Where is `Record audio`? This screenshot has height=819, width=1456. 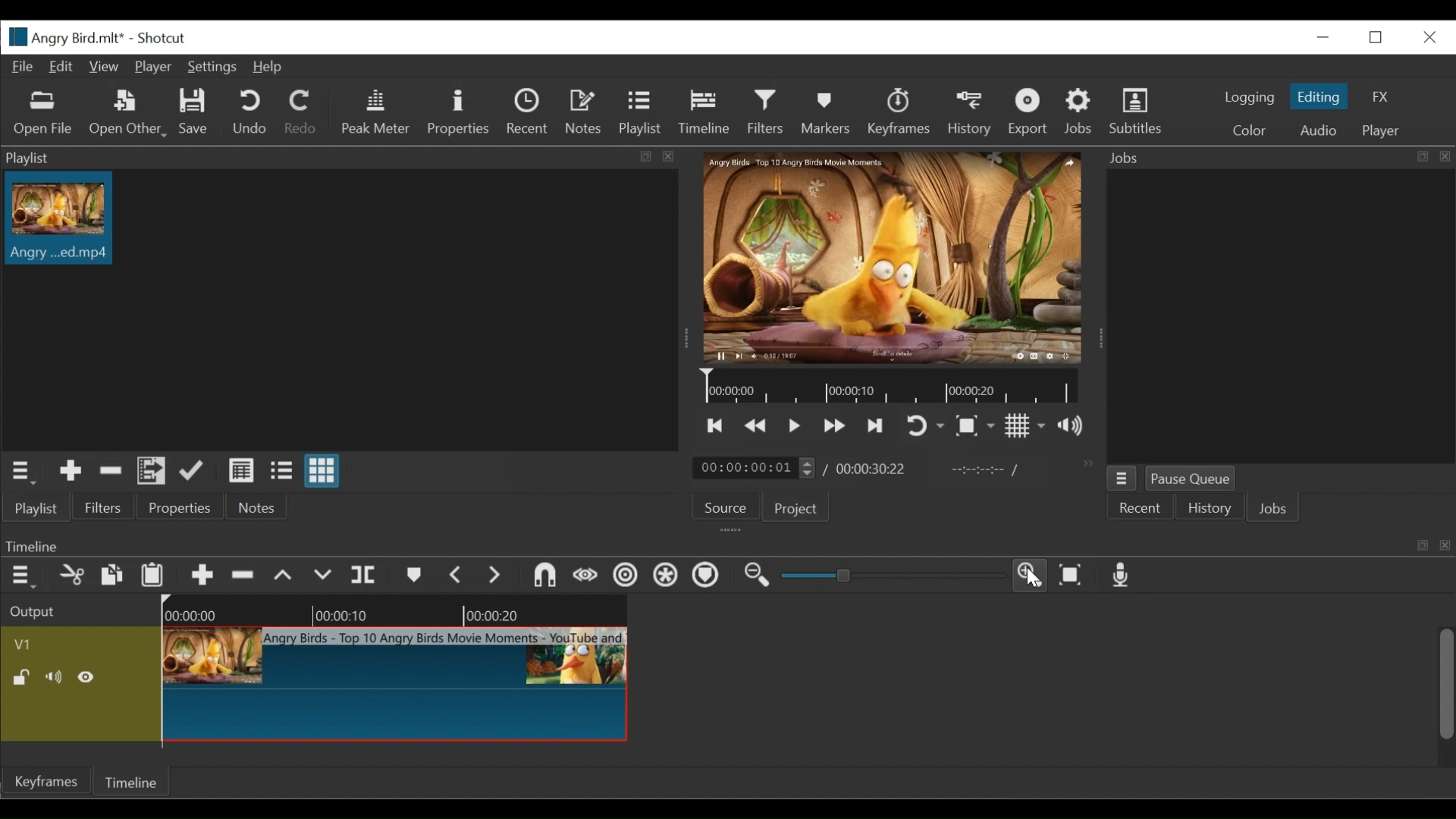 Record audio is located at coordinates (1122, 576).